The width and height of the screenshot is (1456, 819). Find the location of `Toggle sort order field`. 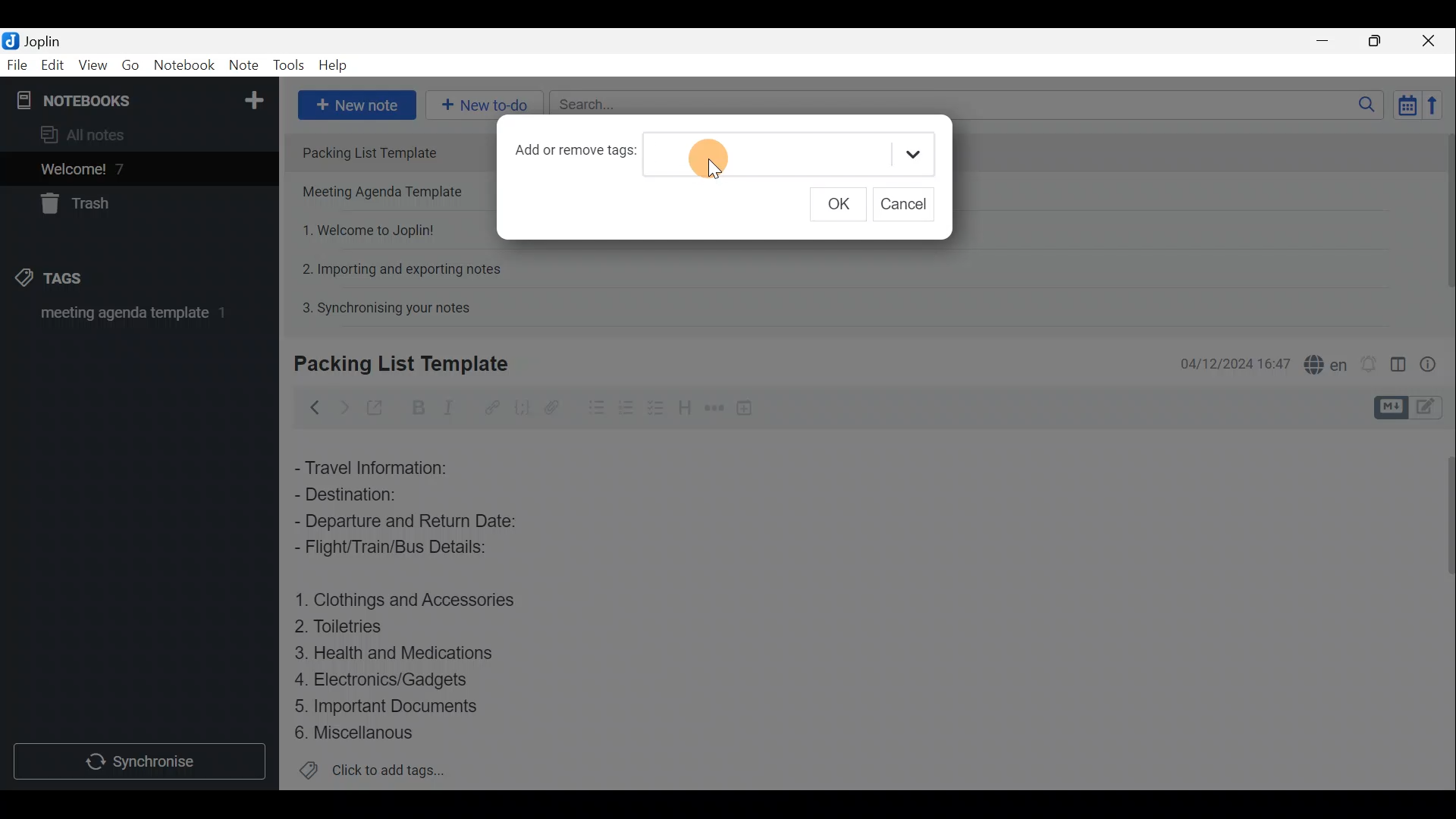

Toggle sort order field is located at coordinates (1402, 105).